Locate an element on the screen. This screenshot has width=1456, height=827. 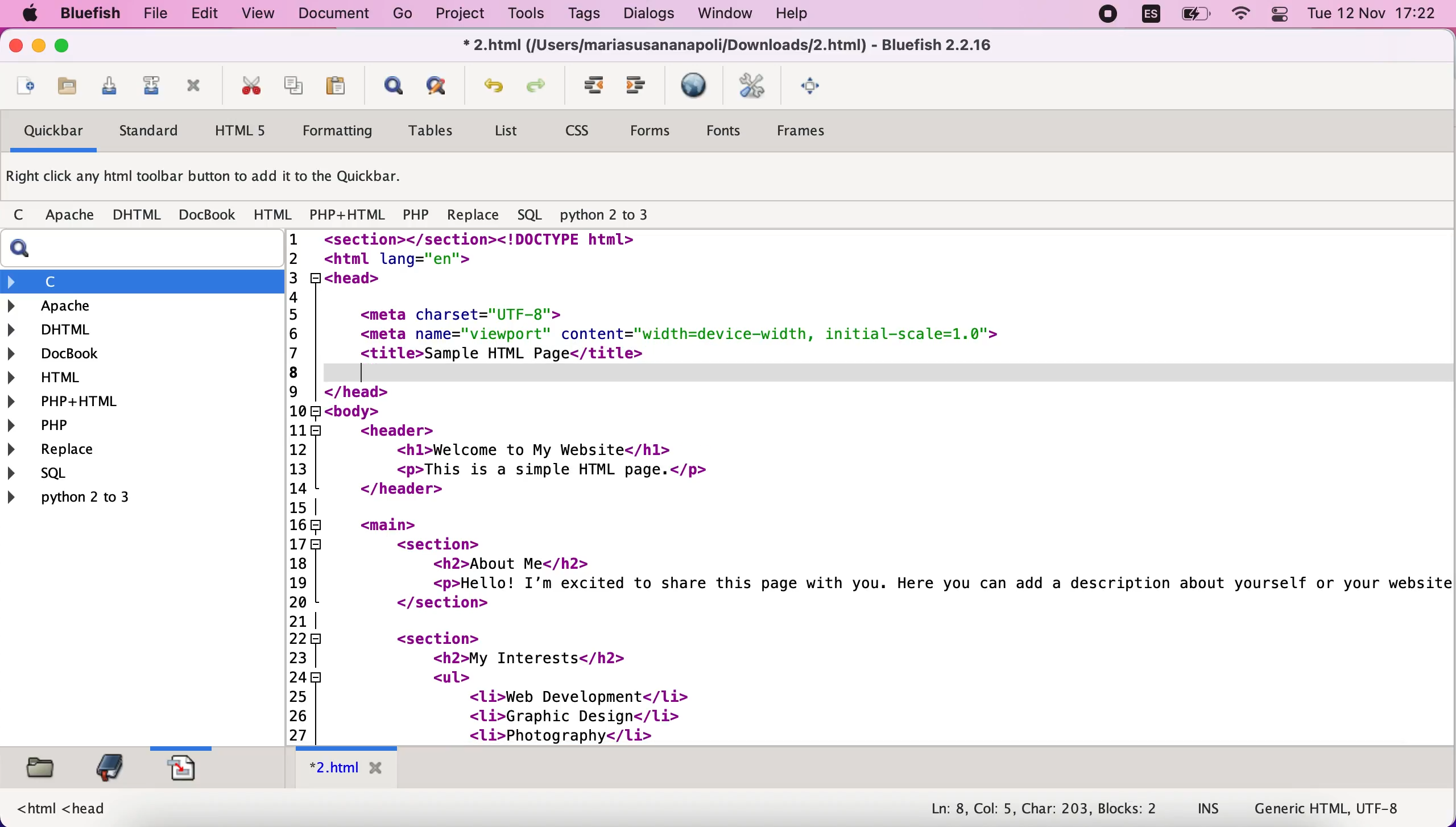
project is located at coordinates (458, 15).